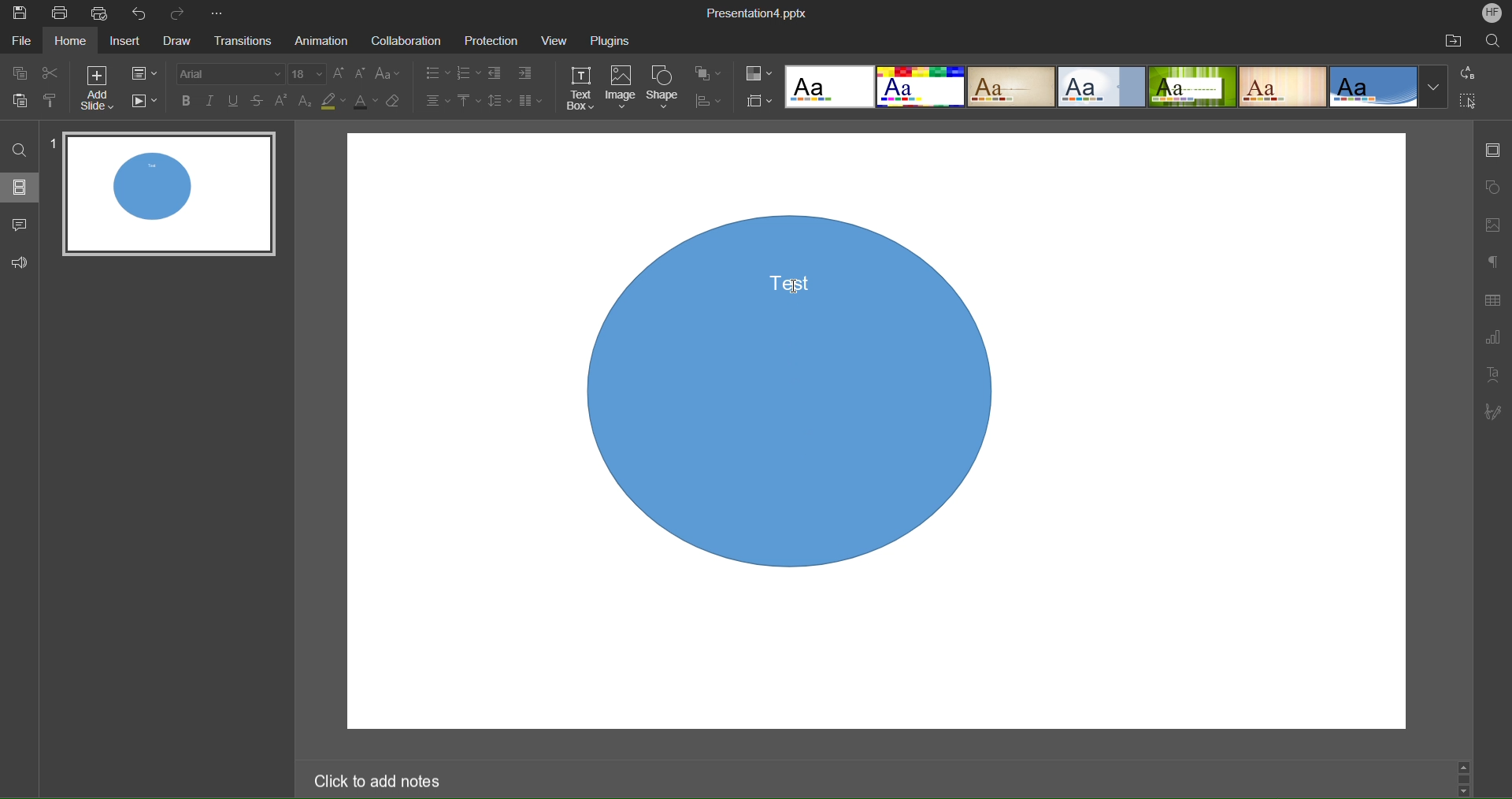 Image resolution: width=1512 pixels, height=799 pixels. I want to click on Slides, so click(23, 188).